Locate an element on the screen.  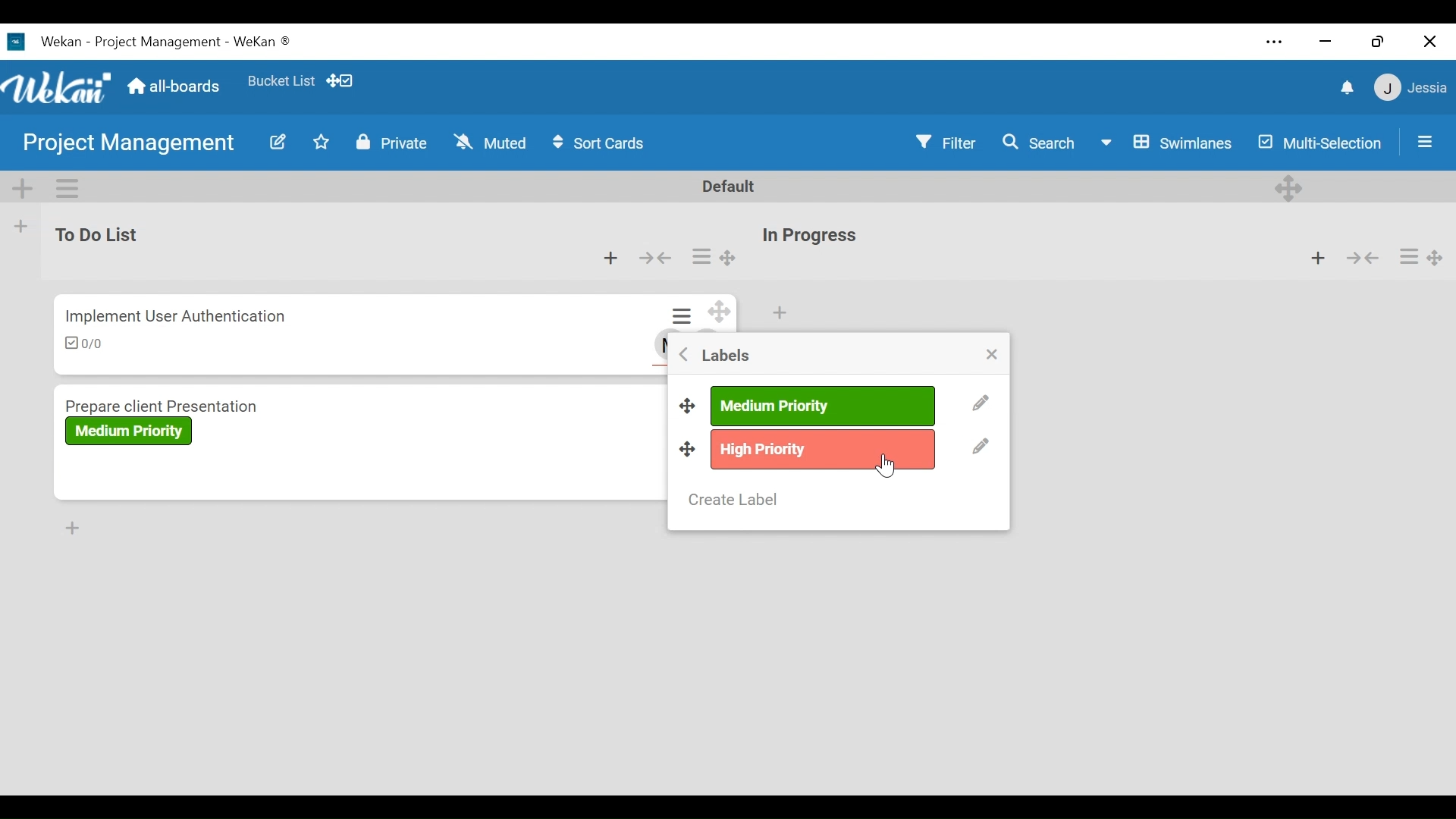
notifications is located at coordinates (1345, 89).